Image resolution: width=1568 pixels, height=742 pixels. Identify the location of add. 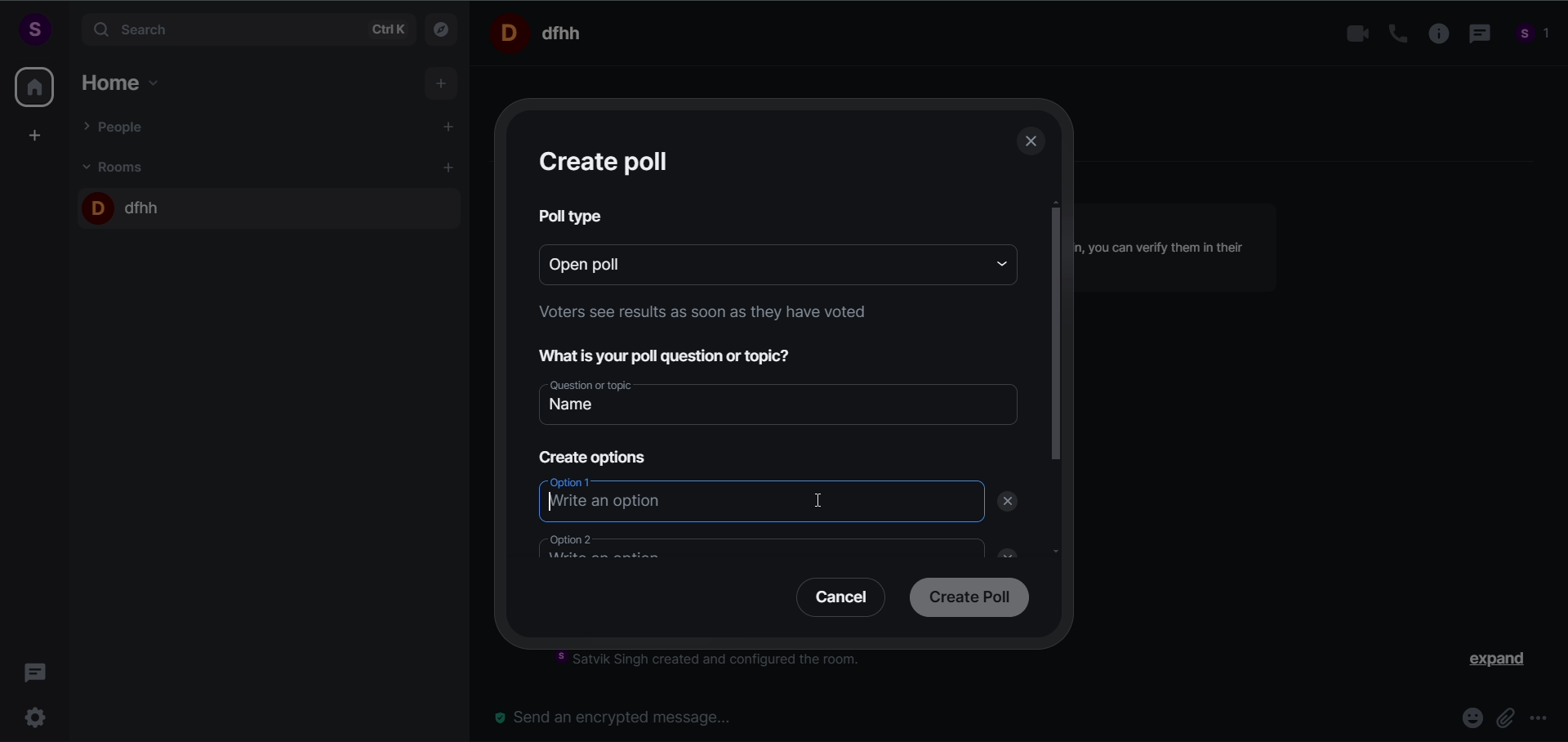
(443, 84).